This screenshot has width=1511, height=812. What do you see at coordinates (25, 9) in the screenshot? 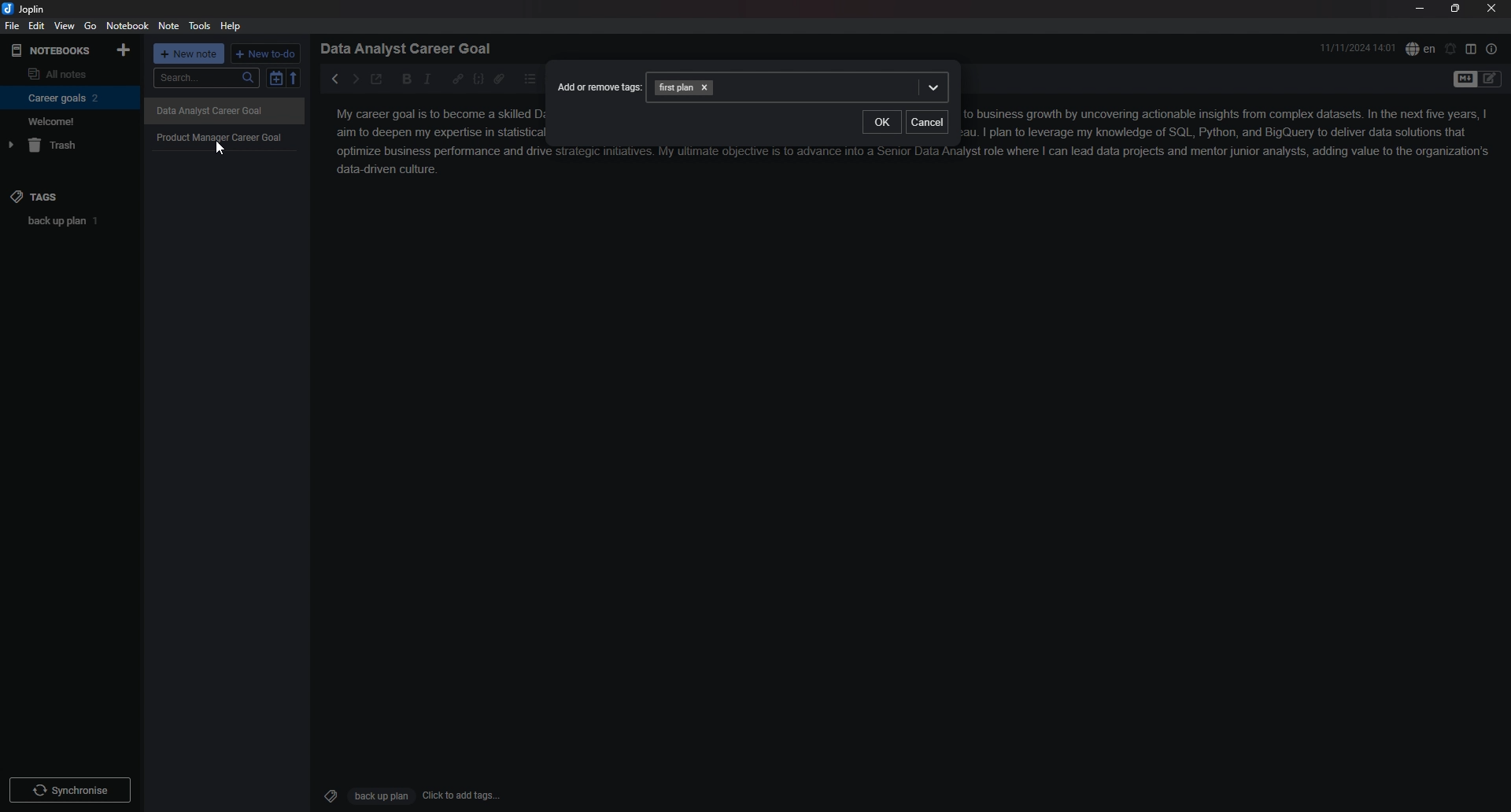
I see `joplin` at bounding box center [25, 9].